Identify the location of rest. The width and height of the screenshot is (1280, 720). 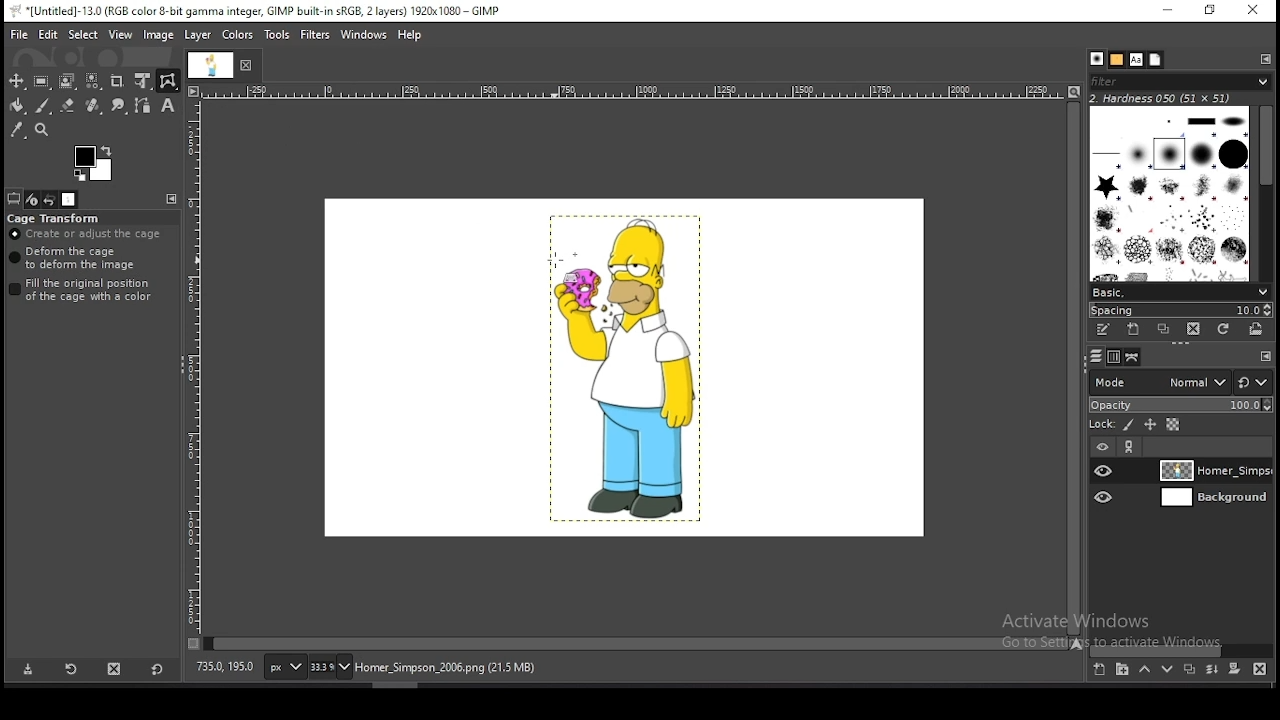
(1253, 382).